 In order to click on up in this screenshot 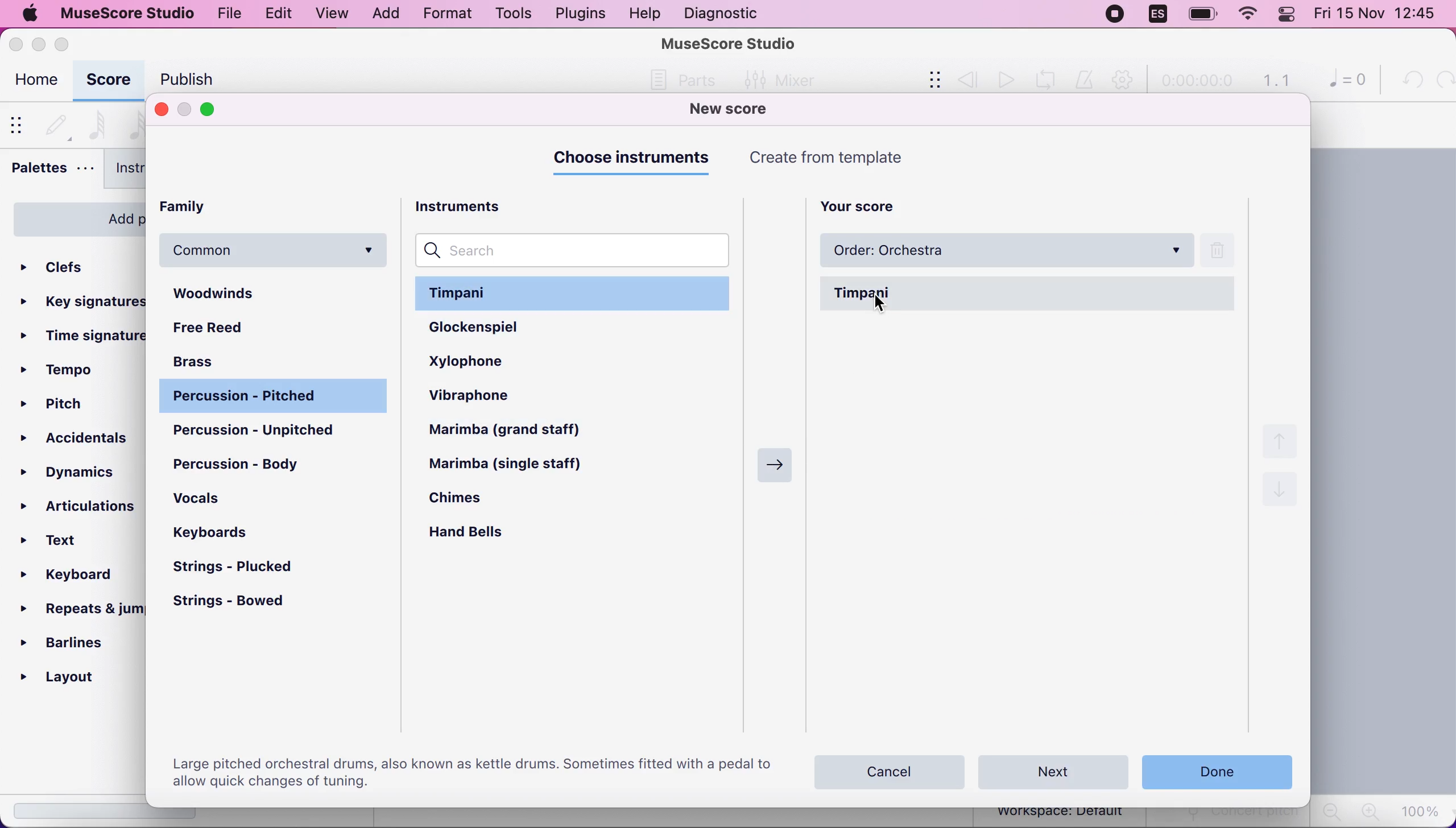, I will do `click(1283, 440)`.